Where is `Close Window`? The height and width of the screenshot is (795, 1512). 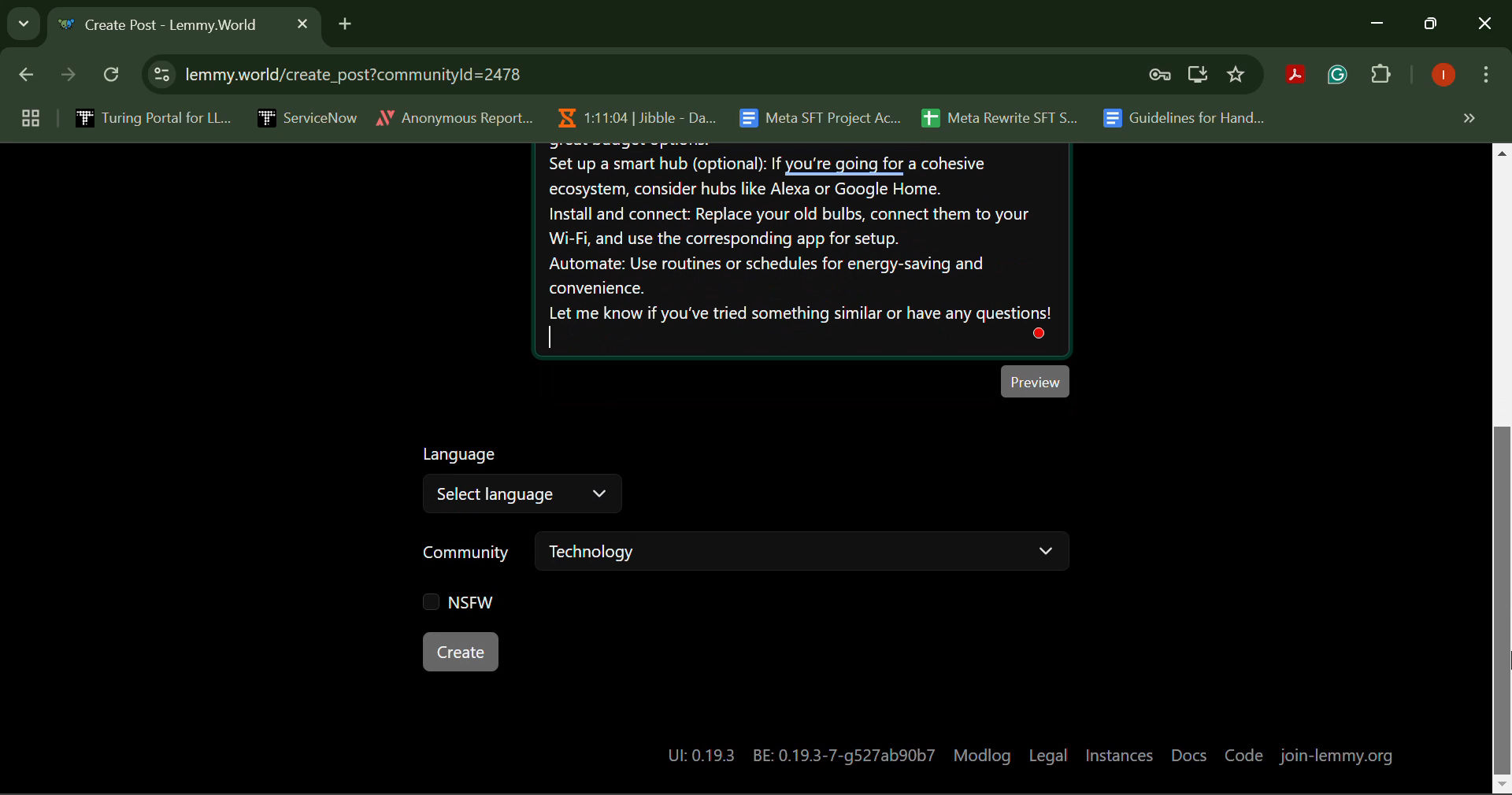
Close Window is located at coordinates (1485, 25).